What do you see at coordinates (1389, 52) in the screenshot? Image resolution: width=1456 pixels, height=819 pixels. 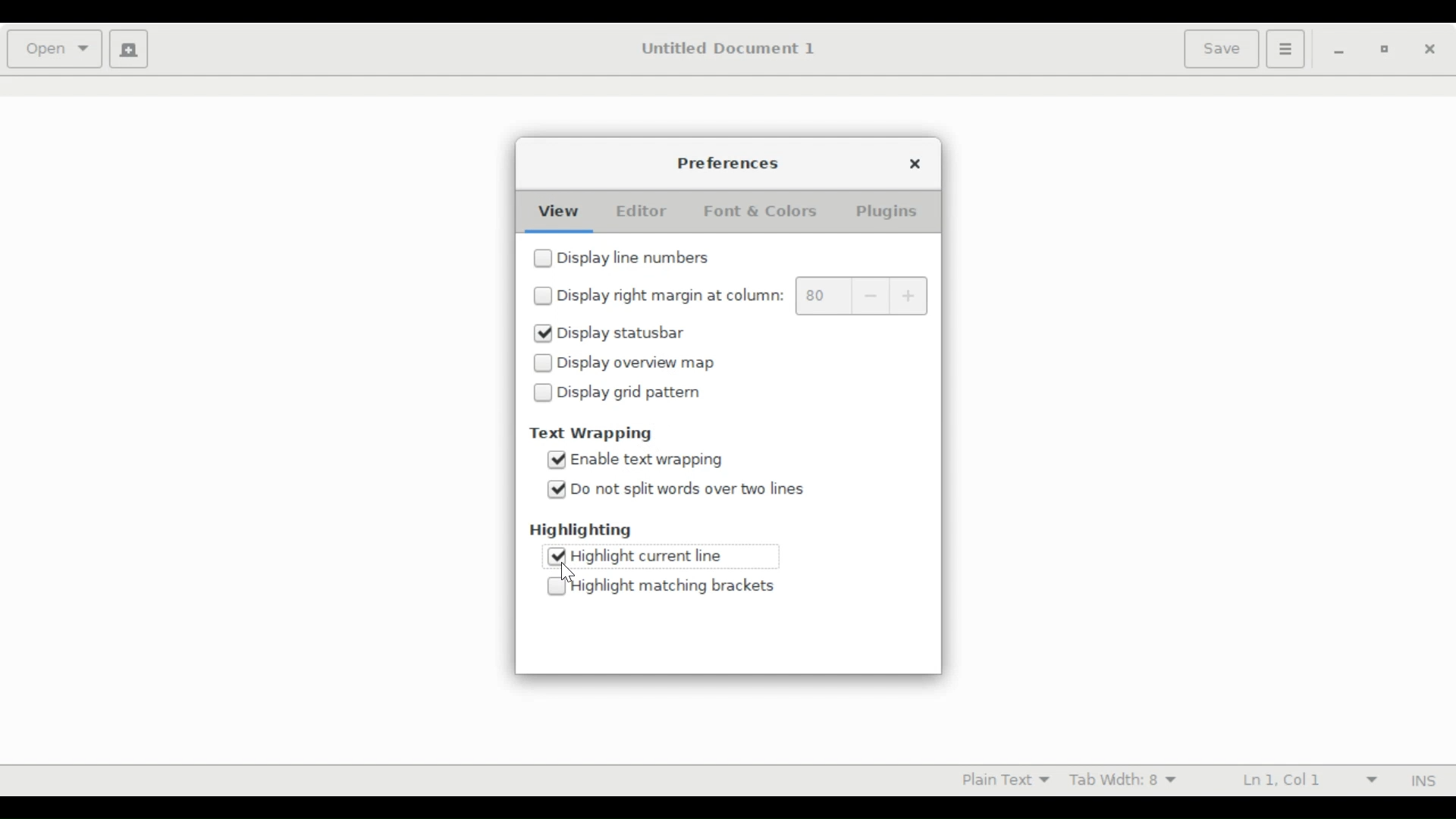 I see `Restore` at bounding box center [1389, 52].